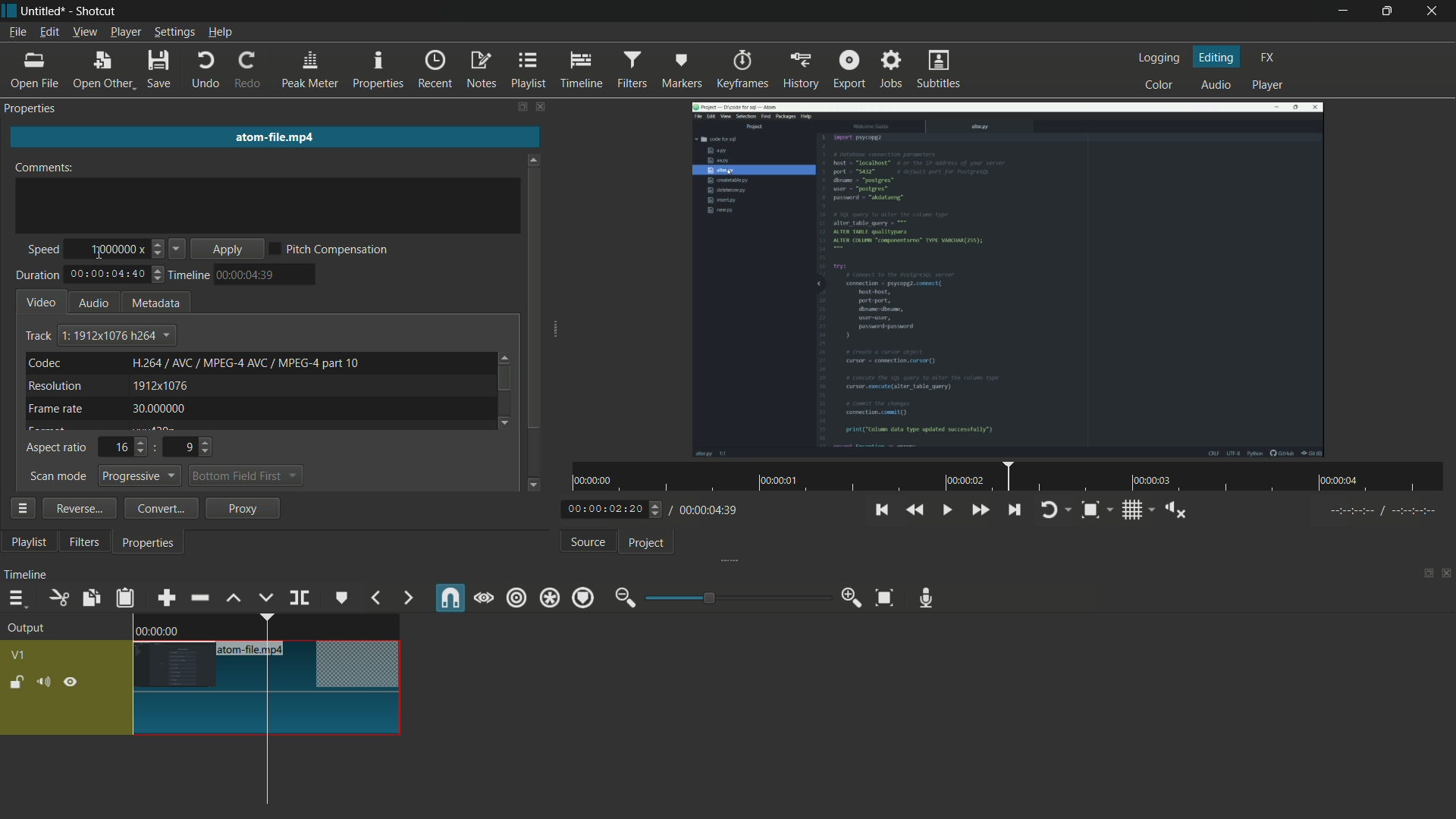  What do you see at coordinates (79, 508) in the screenshot?
I see `reverse` at bounding box center [79, 508].